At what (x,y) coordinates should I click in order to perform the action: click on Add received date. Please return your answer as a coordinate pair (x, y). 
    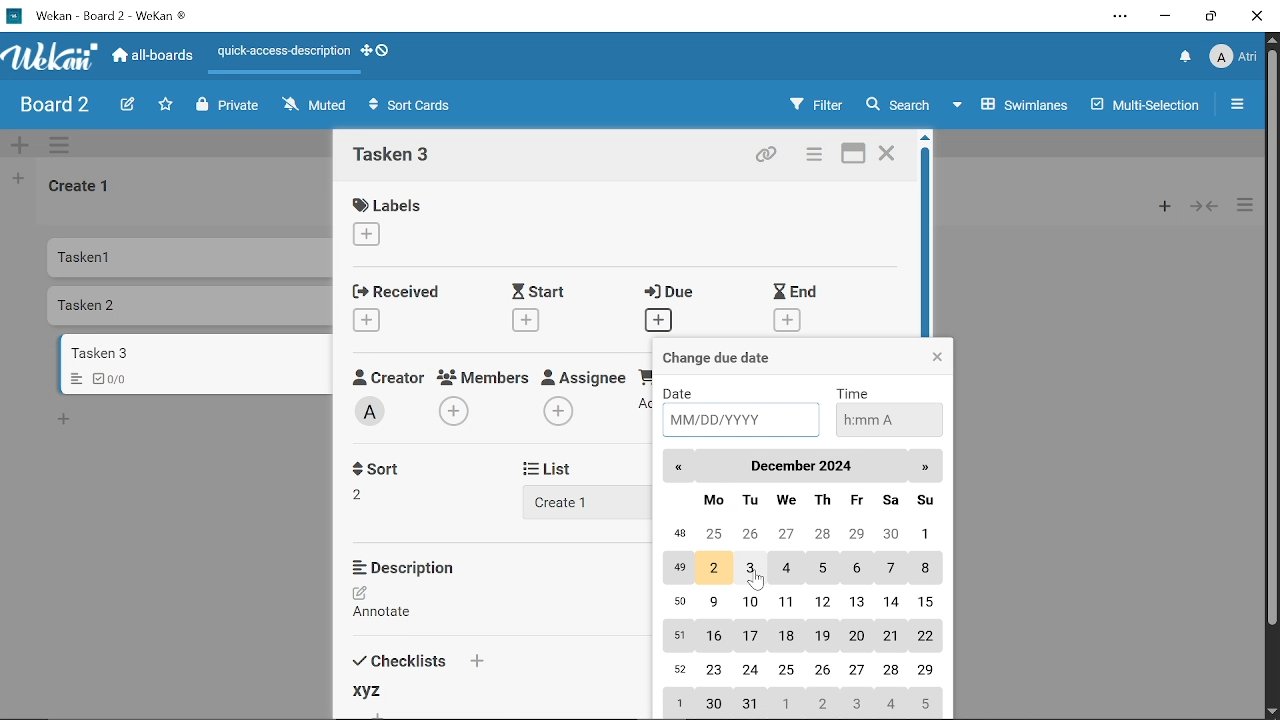
    Looking at the image, I should click on (368, 319).